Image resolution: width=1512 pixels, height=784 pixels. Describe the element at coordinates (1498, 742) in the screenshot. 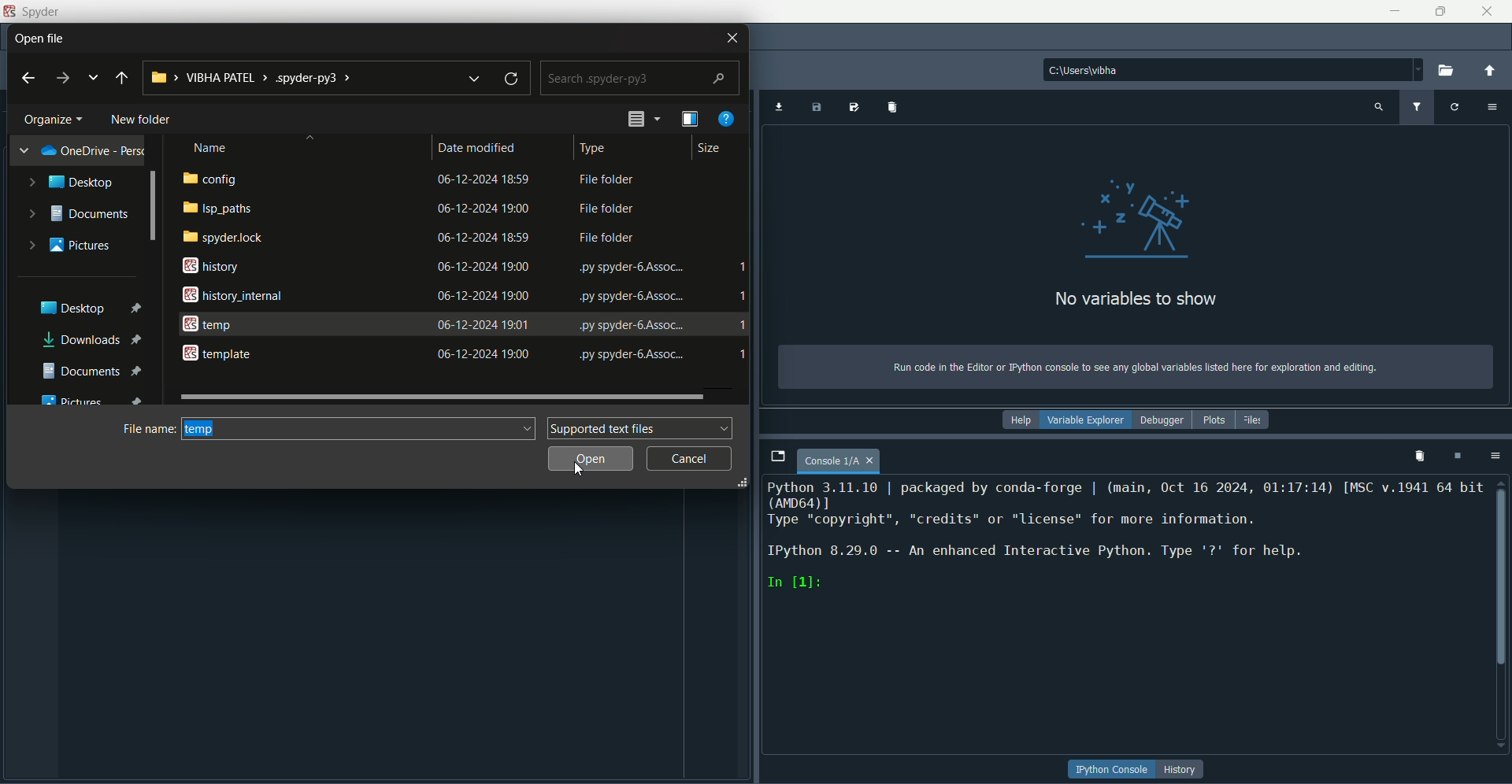

I see `Down` at that location.